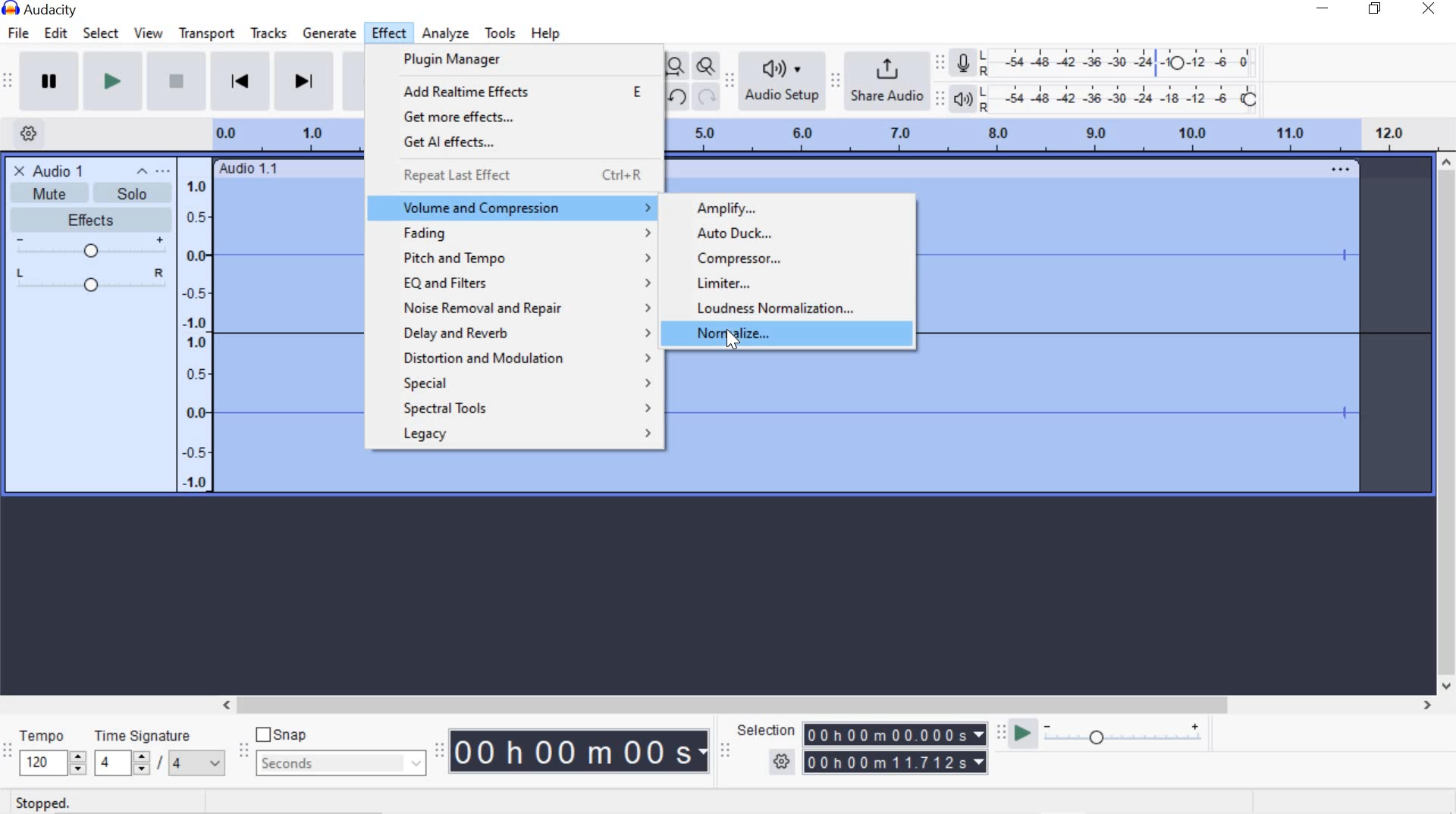 Image resolution: width=1456 pixels, height=814 pixels. What do you see at coordinates (707, 98) in the screenshot?
I see `redo` at bounding box center [707, 98].